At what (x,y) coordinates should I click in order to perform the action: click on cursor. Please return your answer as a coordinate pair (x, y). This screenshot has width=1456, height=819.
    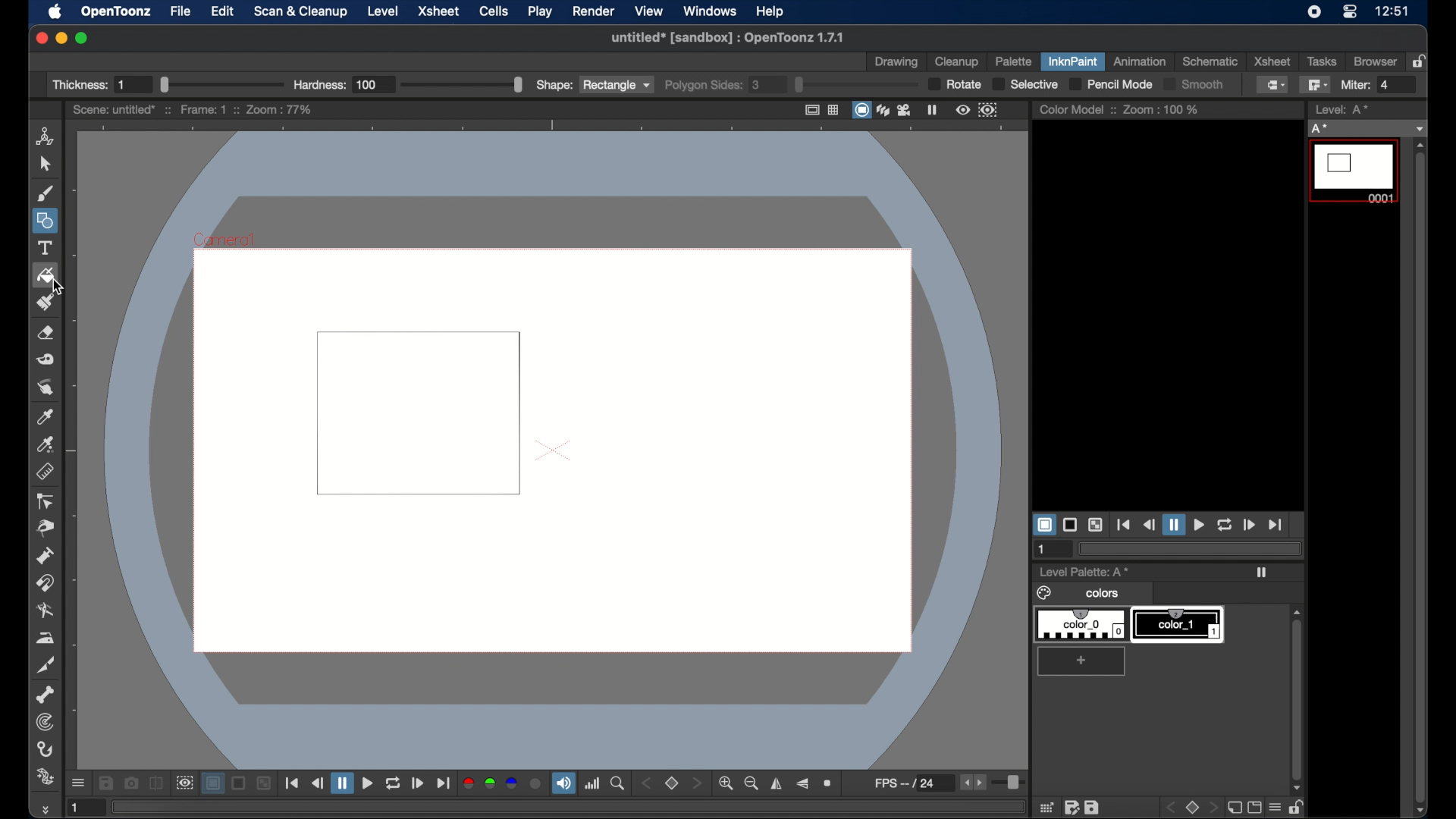
    Looking at the image, I should click on (520, 494).